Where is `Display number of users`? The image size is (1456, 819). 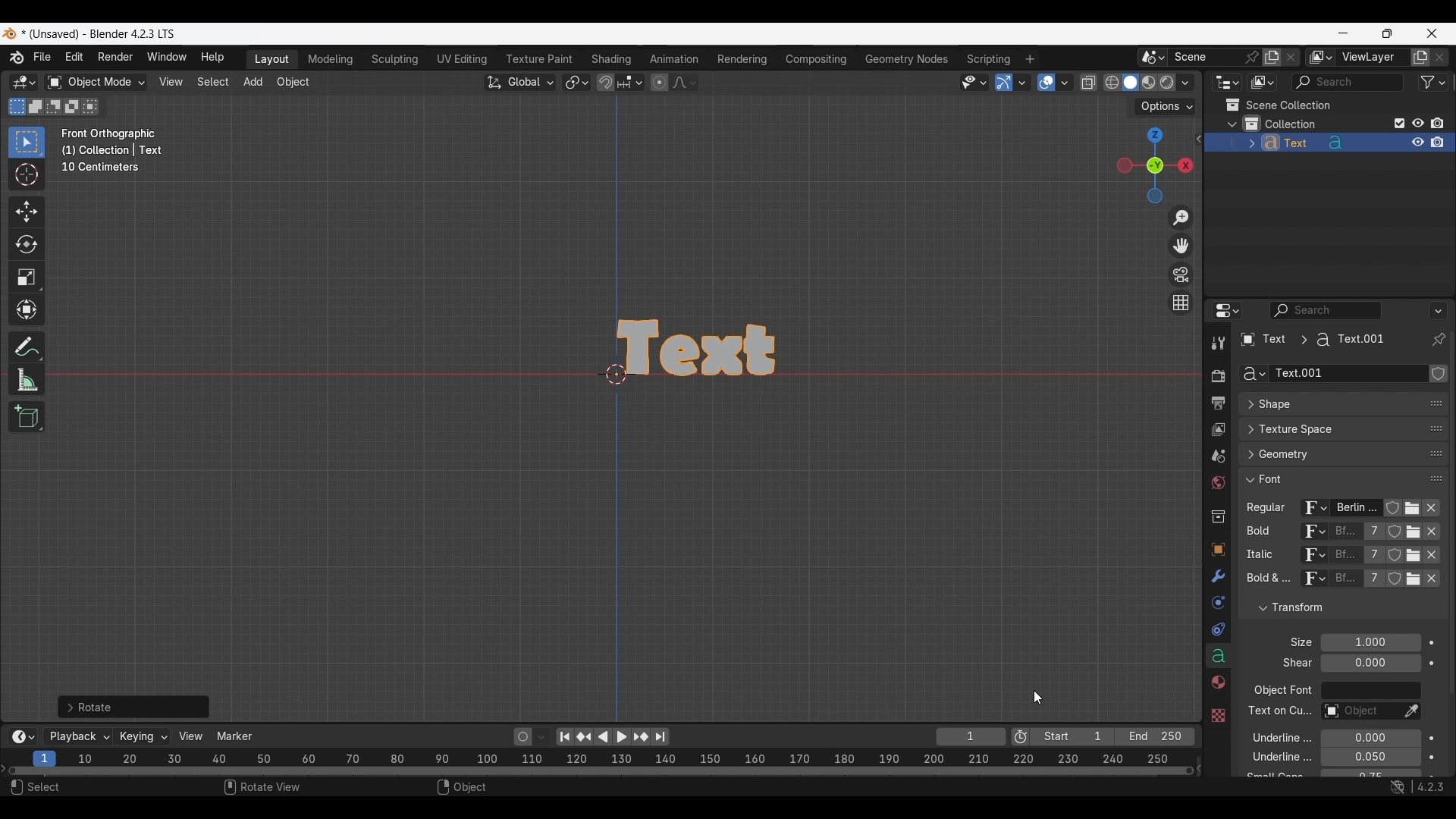
Display number of users is located at coordinates (1373, 582).